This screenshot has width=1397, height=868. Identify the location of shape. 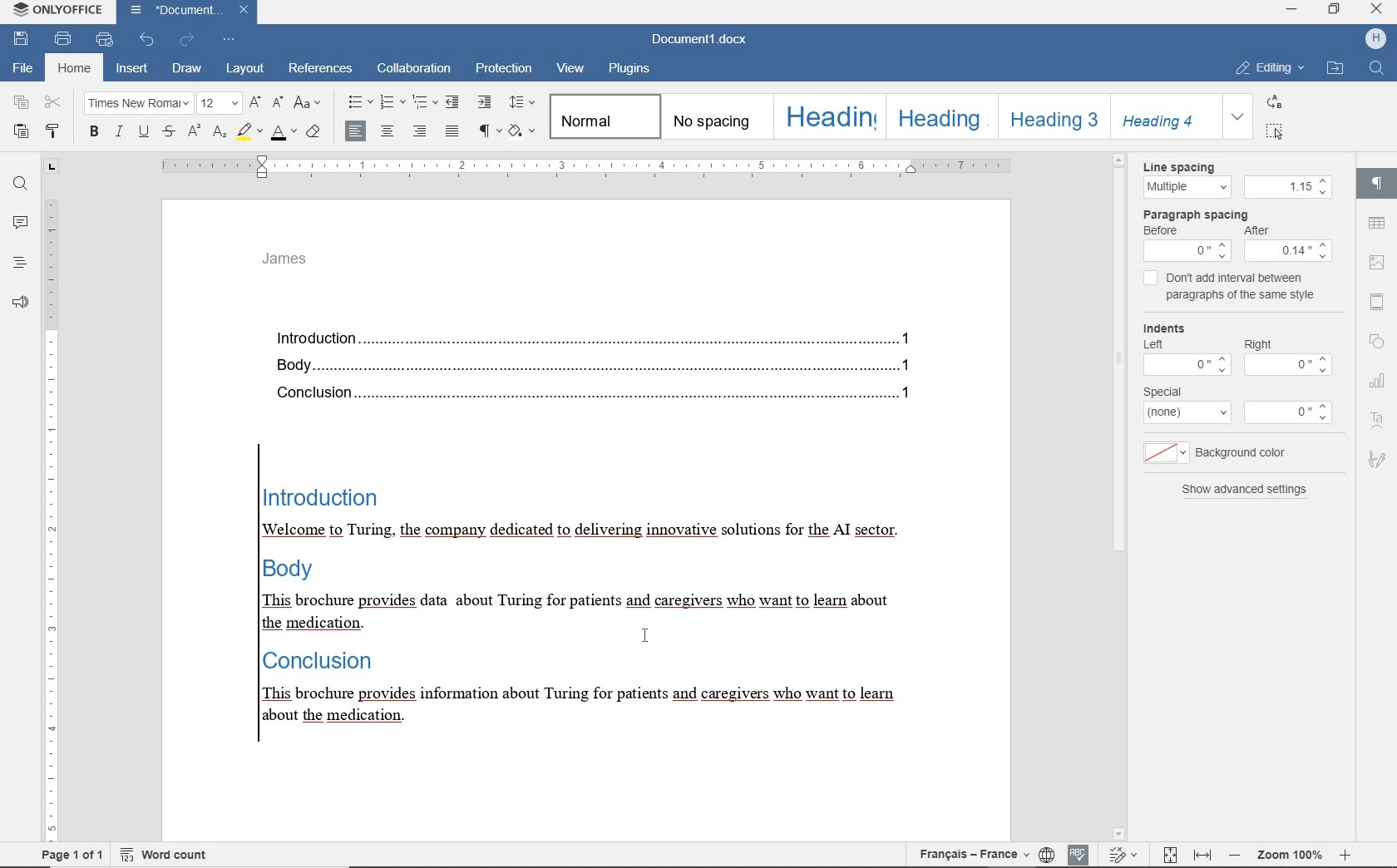
(1378, 343).